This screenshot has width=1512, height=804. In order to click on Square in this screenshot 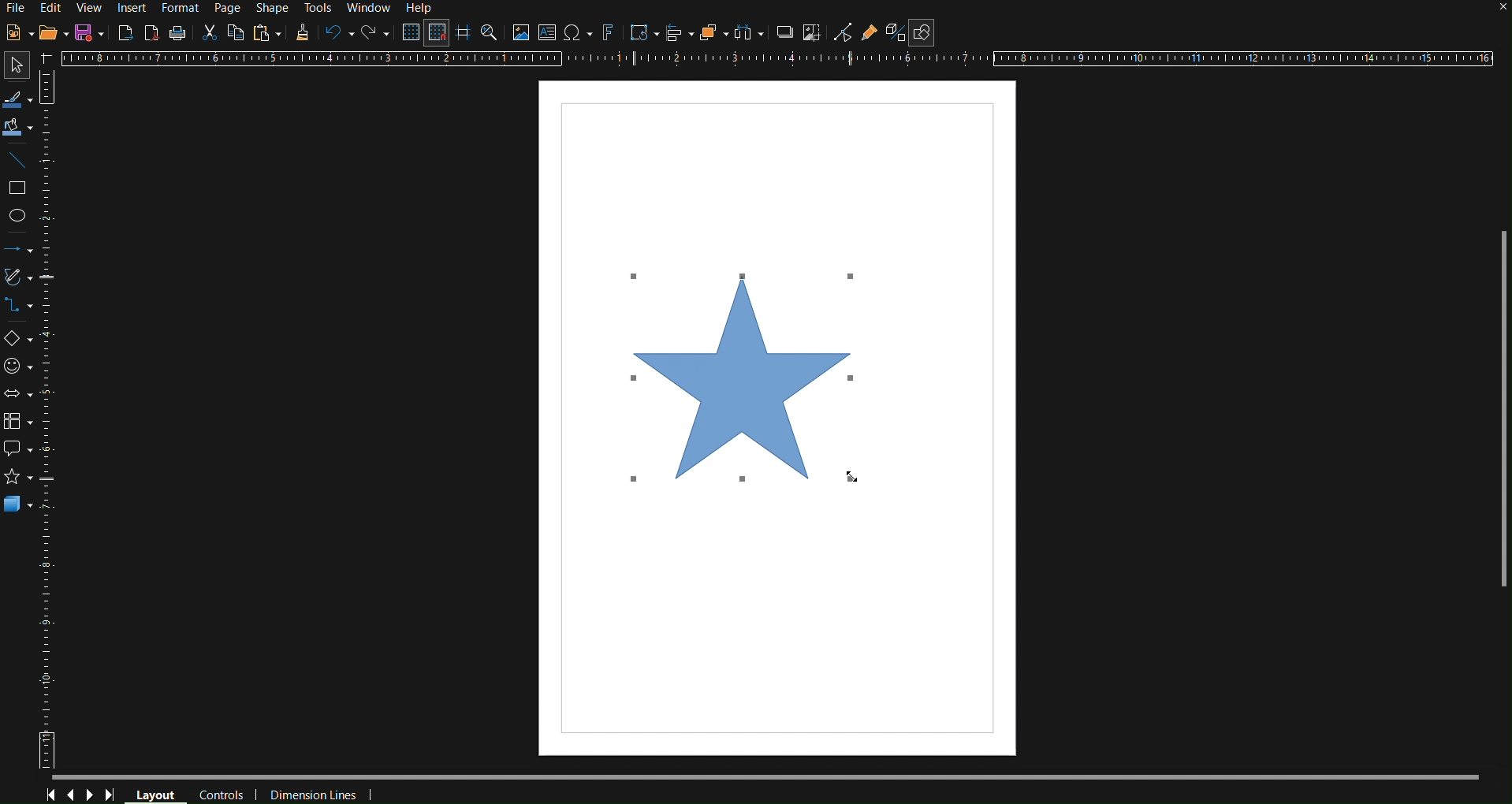, I will do `click(20, 187)`.